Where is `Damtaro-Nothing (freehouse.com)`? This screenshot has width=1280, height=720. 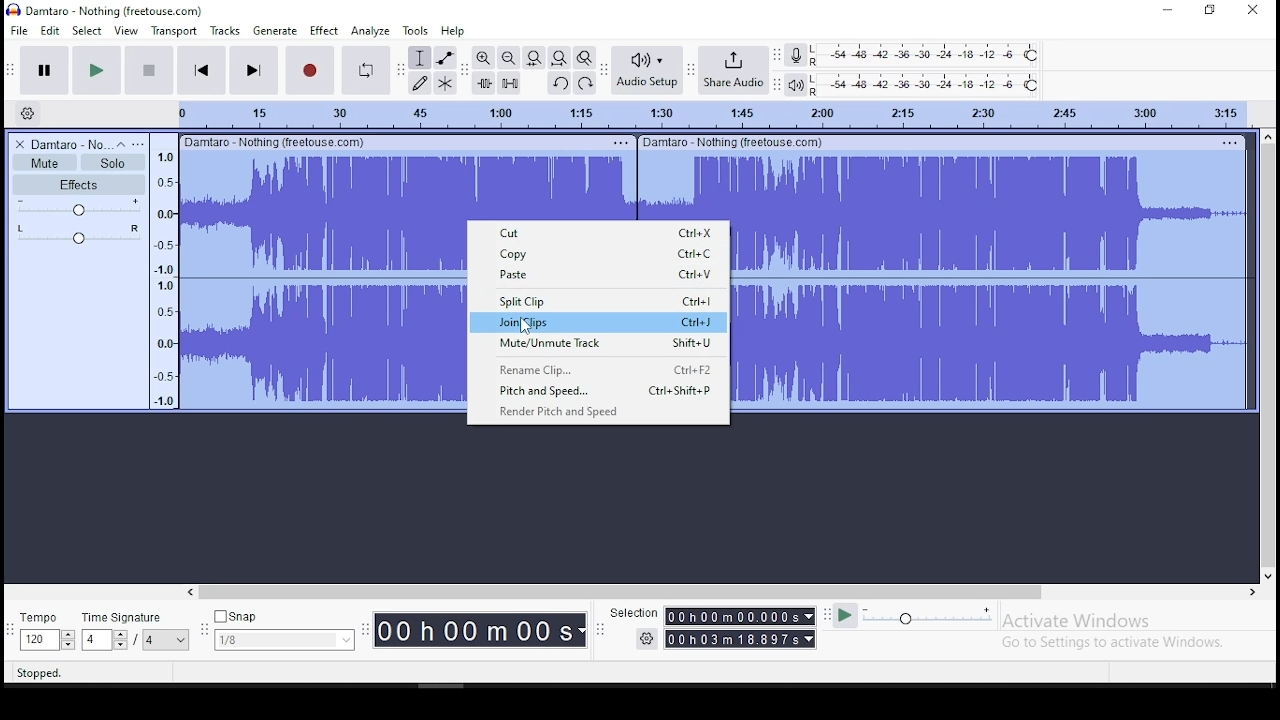 Damtaro-Nothing (freehouse.com) is located at coordinates (734, 142).